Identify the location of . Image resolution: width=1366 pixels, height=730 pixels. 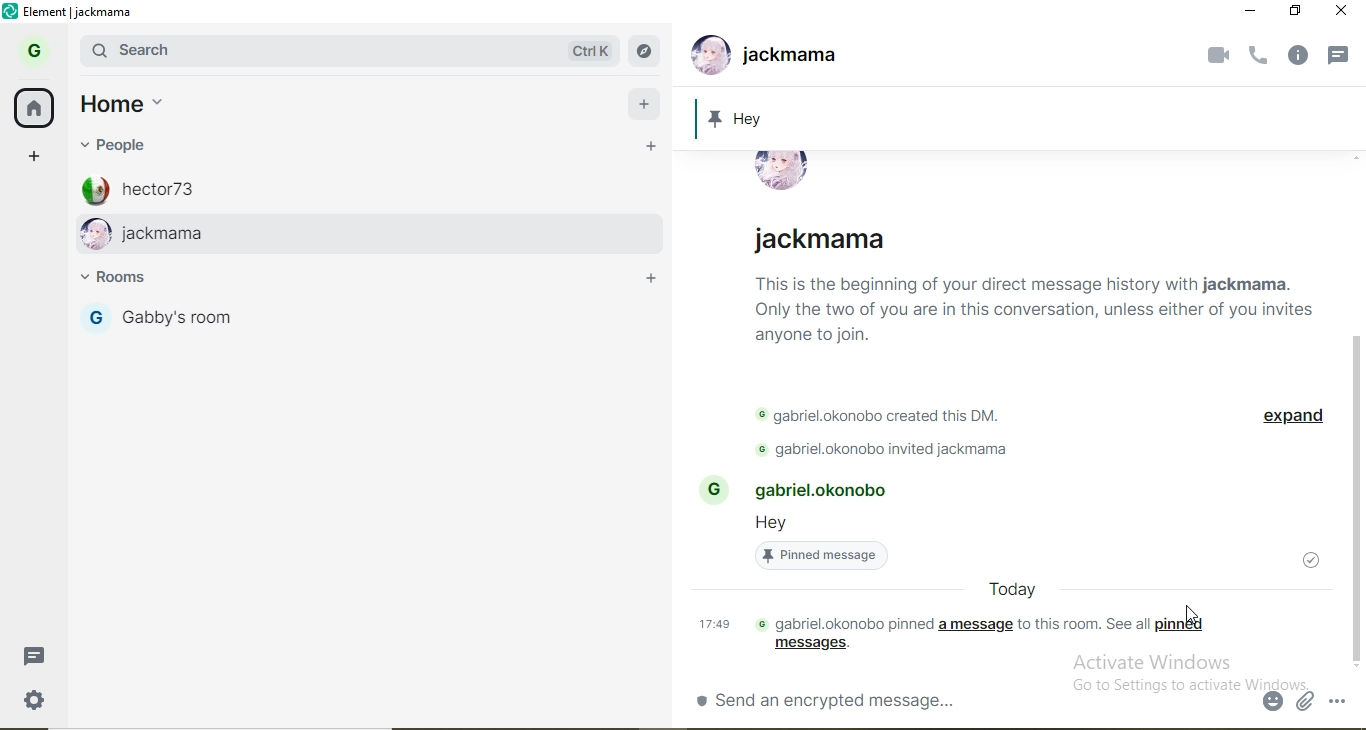
(1307, 704).